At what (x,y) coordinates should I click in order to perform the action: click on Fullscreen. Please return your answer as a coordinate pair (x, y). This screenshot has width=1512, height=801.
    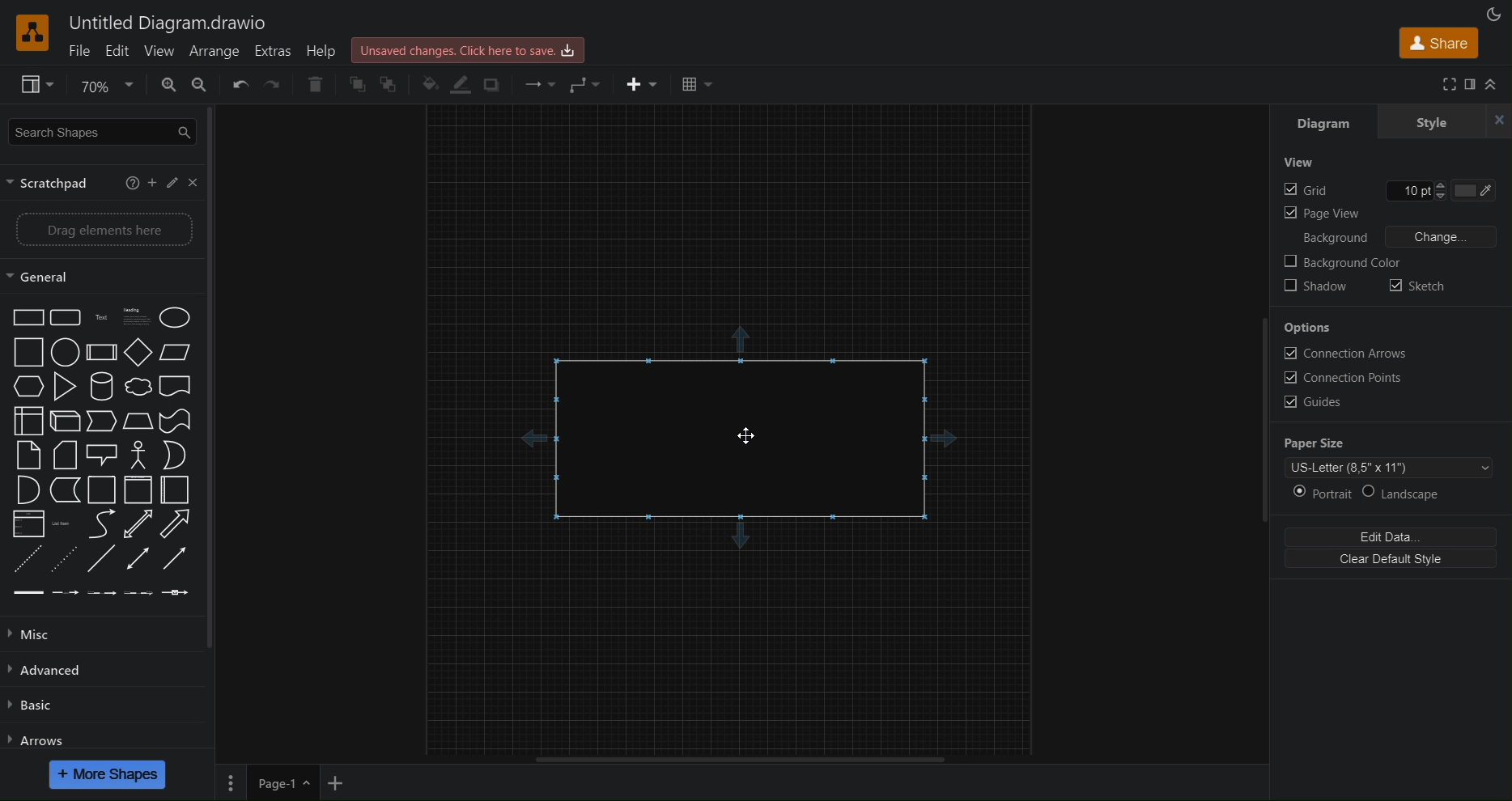
    Looking at the image, I should click on (1451, 85).